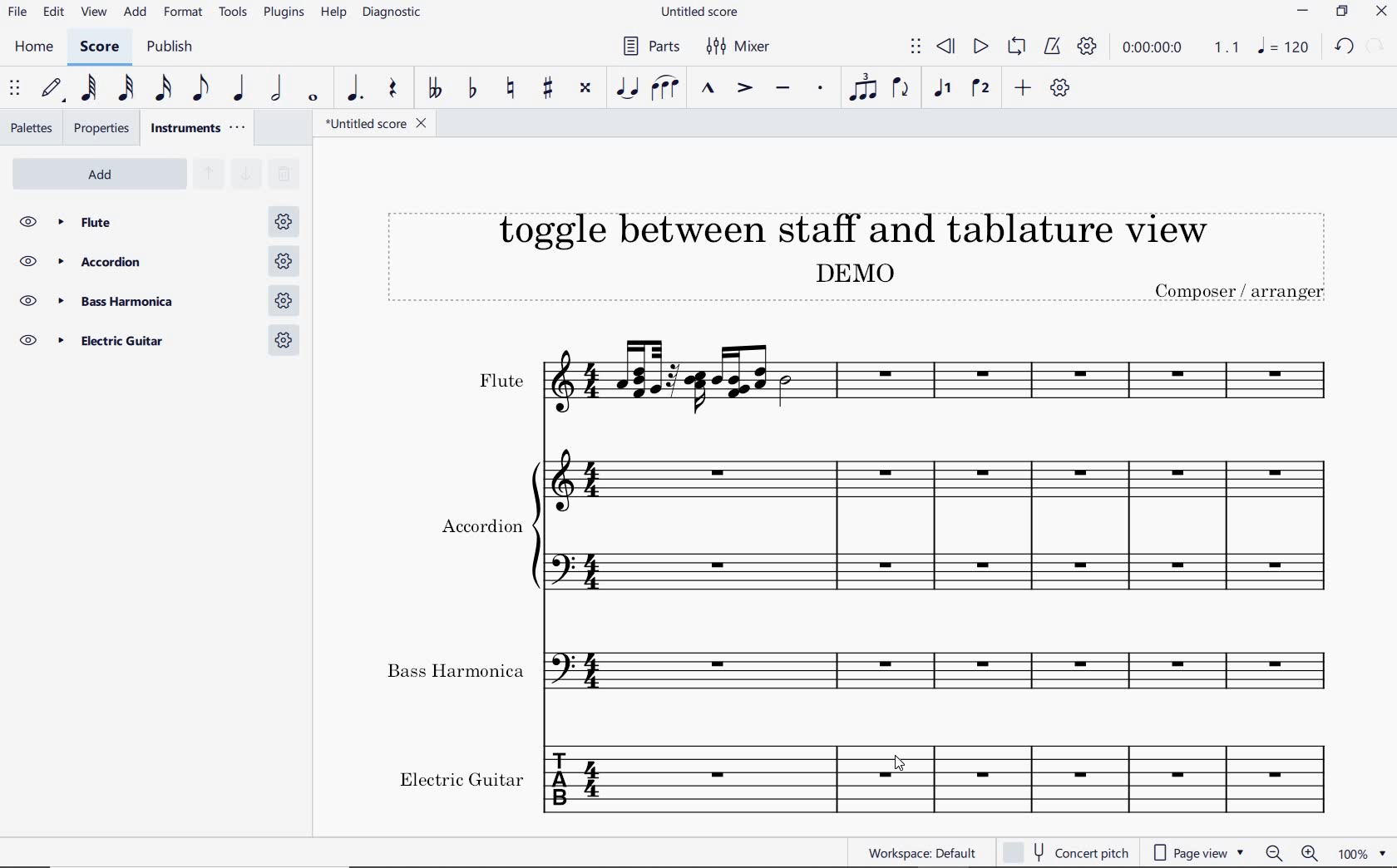  Describe the element at coordinates (101, 128) in the screenshot. I see `properties` at that location.